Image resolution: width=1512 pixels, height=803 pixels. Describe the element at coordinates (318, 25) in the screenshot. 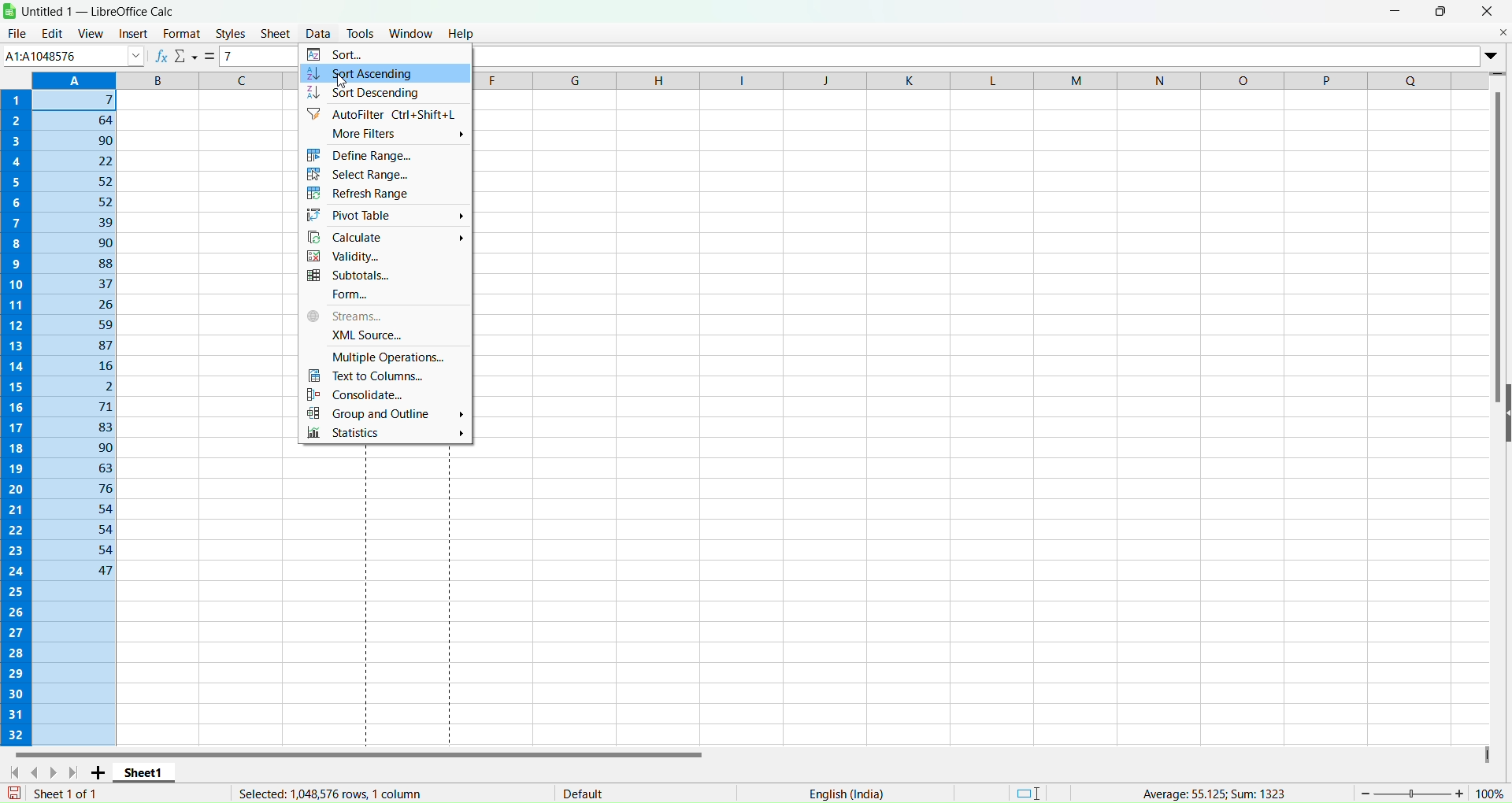

I see `Data` at that location.